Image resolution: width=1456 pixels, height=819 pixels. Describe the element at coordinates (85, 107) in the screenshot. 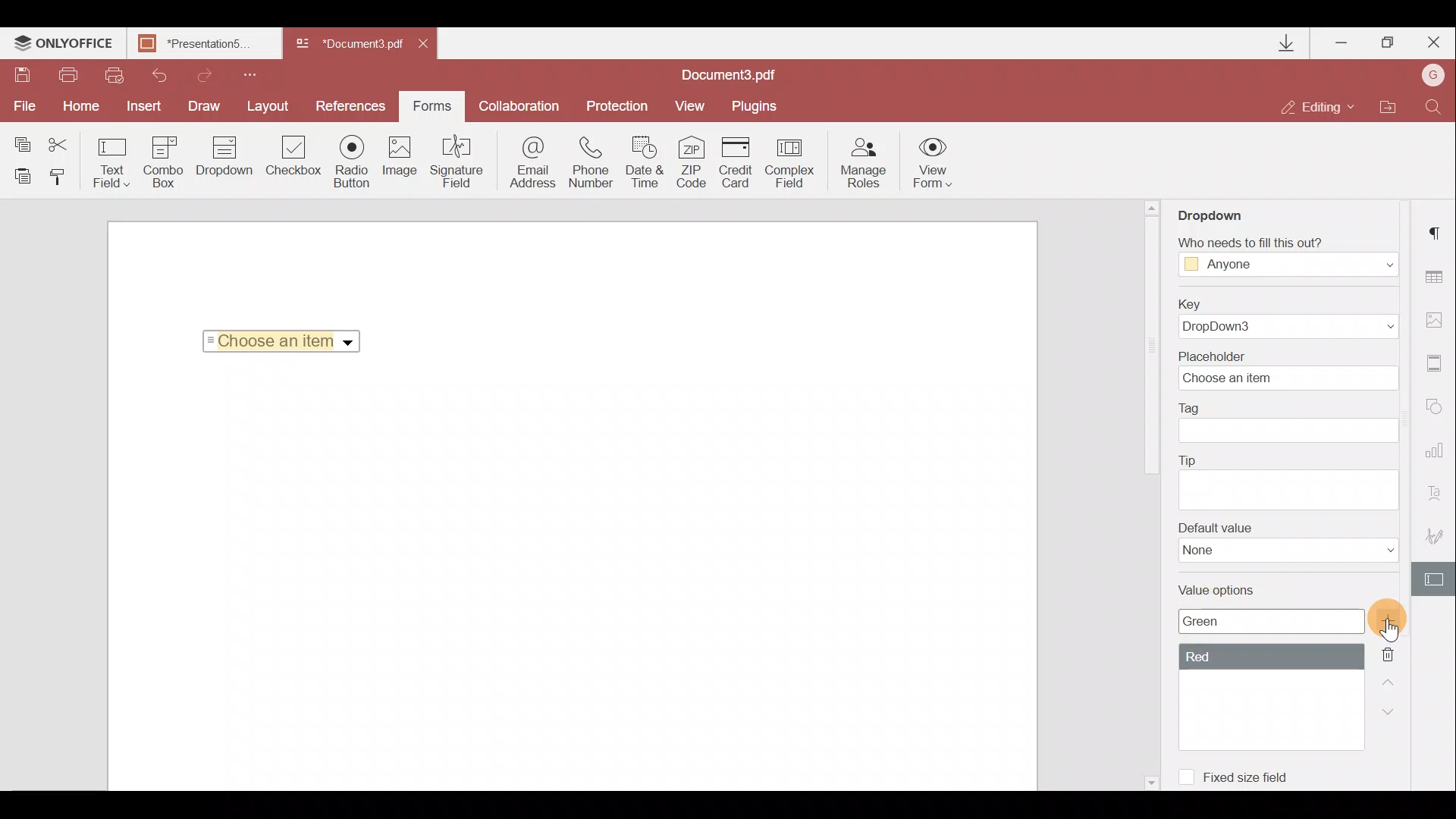

I see `Home` at that location.